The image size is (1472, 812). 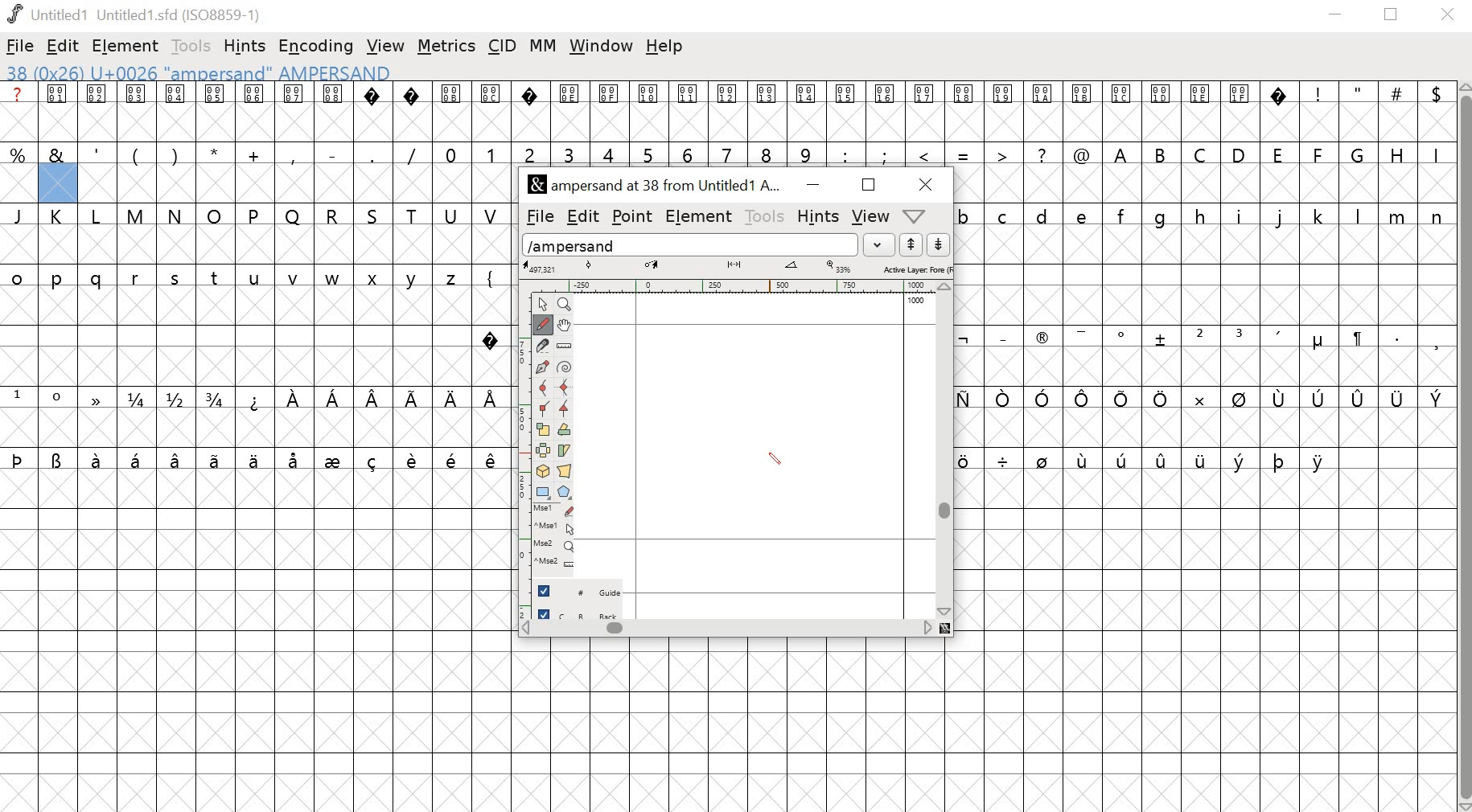 What do you see at coordinates (374, 112) in the screenshot?
I see `?` at bounding box center [374, 112].